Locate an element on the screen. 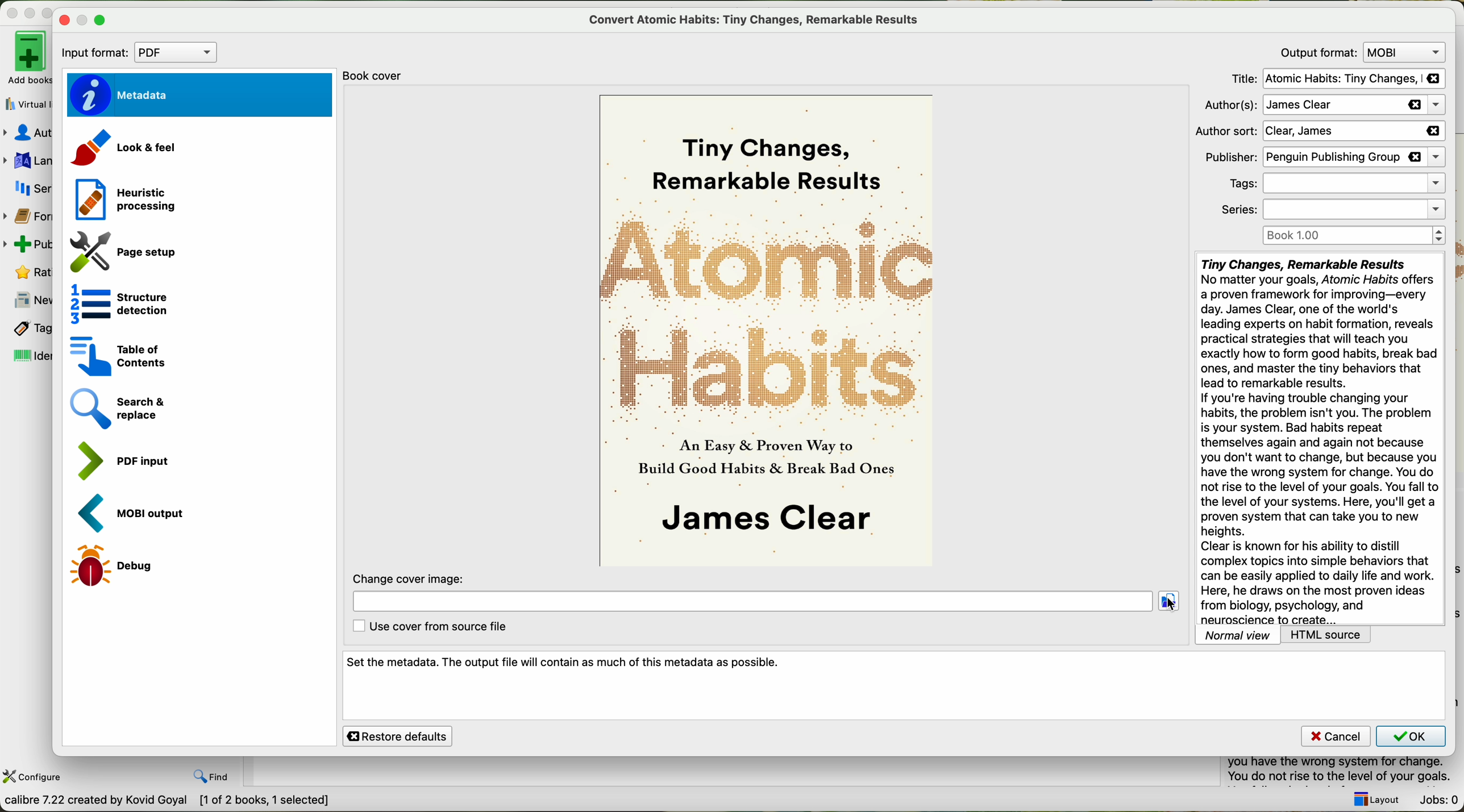 Image resolution: width=1464 pixels, height=812 pixels. disable buttons is located at coordinates (28, 11).